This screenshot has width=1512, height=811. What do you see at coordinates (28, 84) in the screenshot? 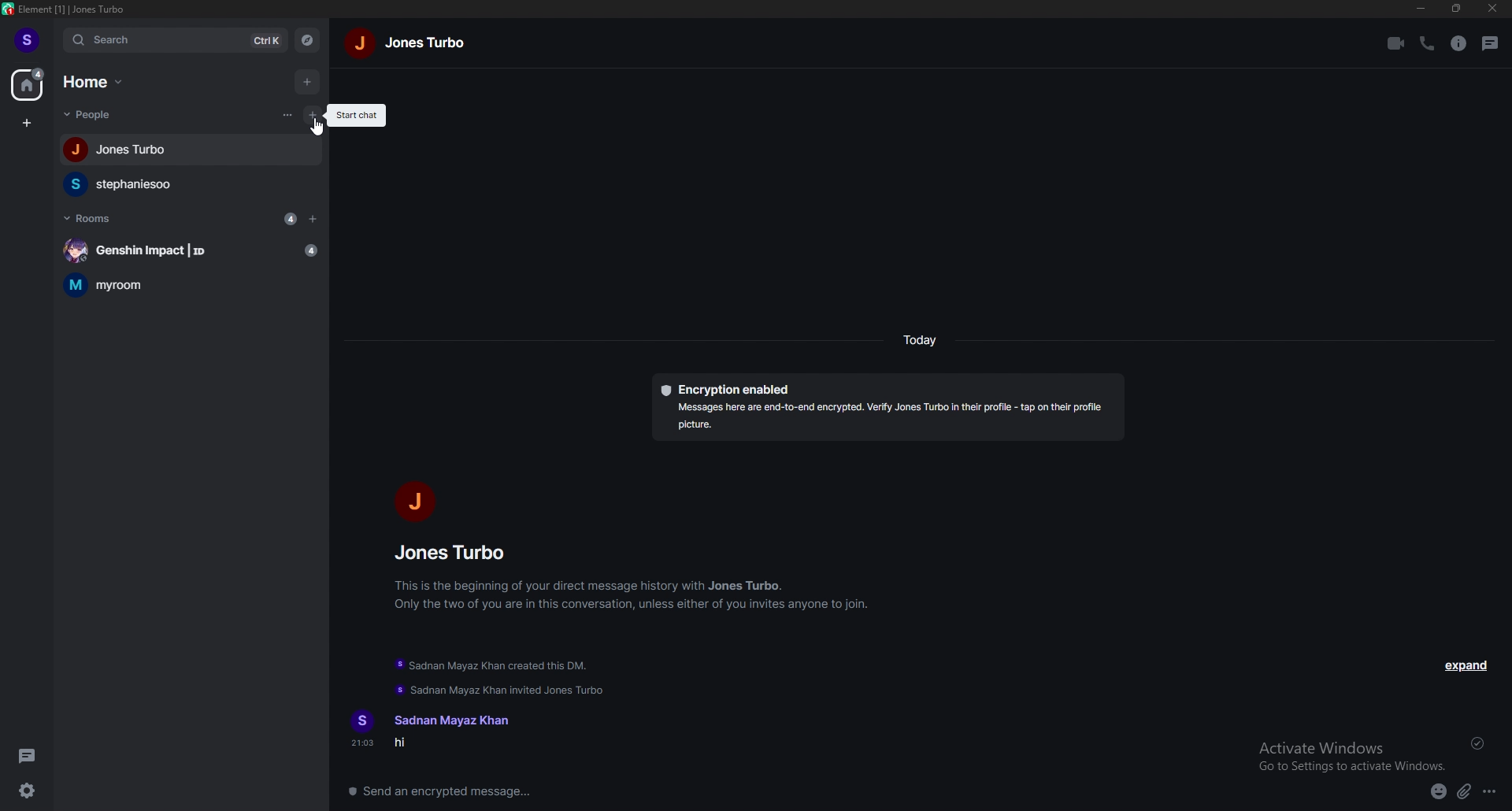
I see `home` at bounding box center [28, 84].